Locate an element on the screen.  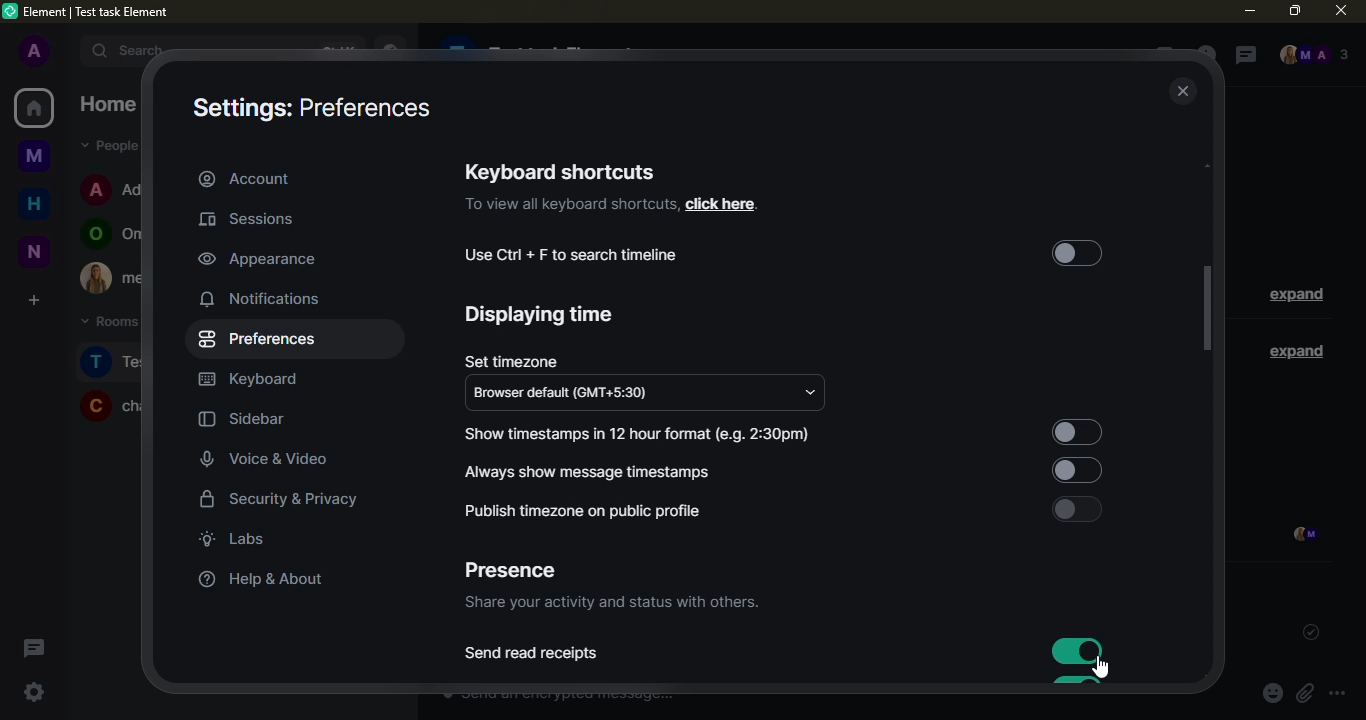
quick settings is located at coordinates (34, 692).